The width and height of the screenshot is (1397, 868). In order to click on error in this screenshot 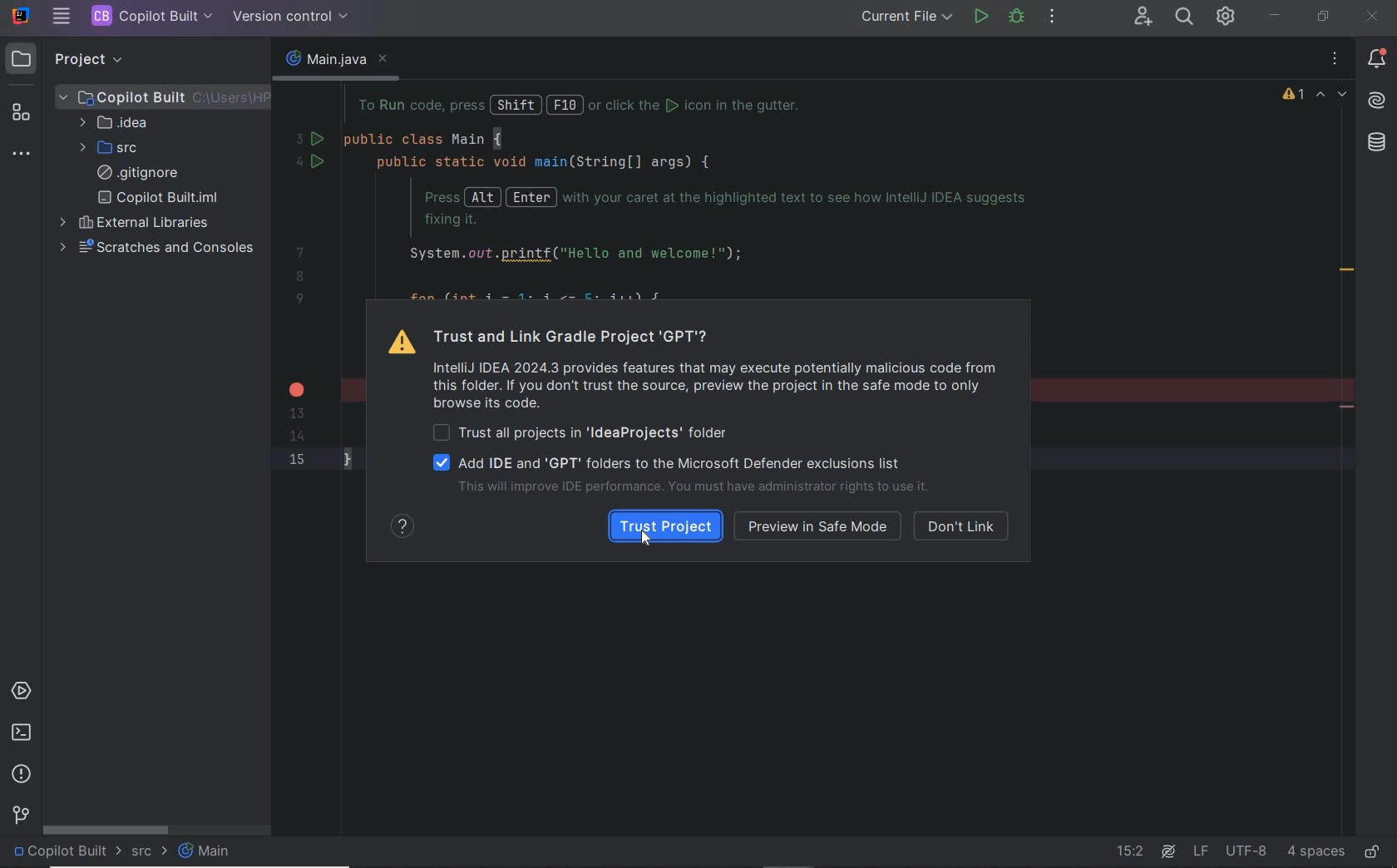, I will do `click(297, 389)`.